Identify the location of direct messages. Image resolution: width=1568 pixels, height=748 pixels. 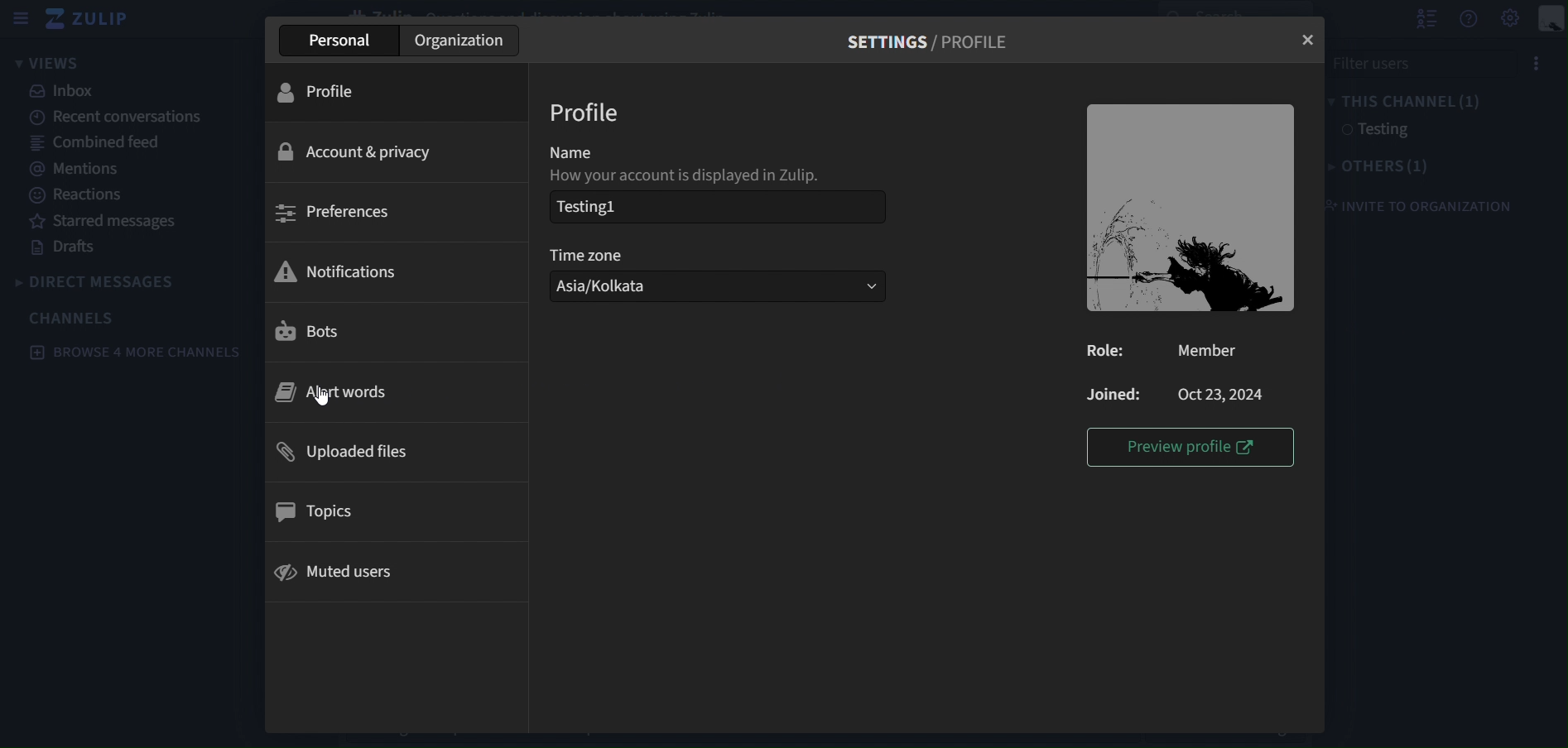
(100, 280).